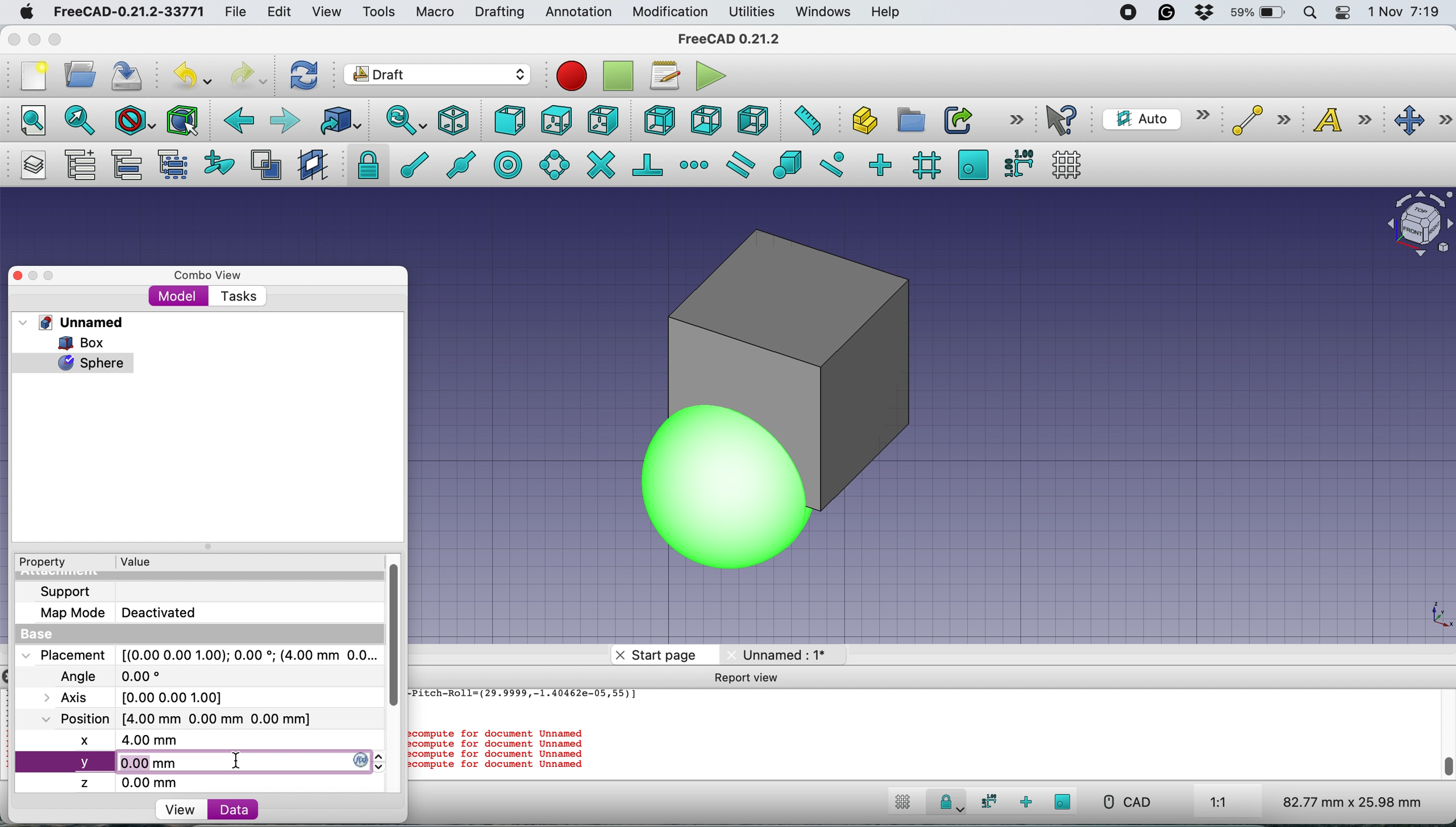 The width and height of the screenshot is (1456, 827). Describe the element at coordinates (236, 120) in the screenshot. I see `backward` at that location.